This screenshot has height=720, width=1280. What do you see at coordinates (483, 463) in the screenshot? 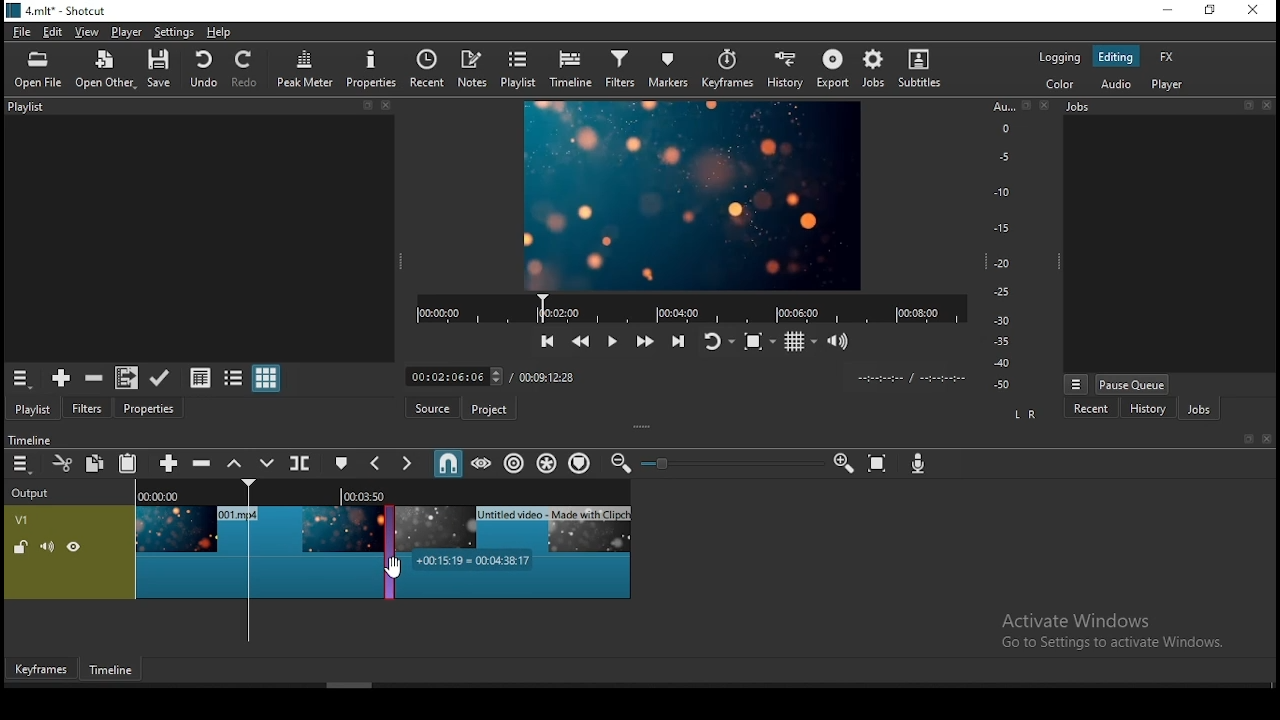
I see `scrub while dragging` at bounding box center [483, 463].